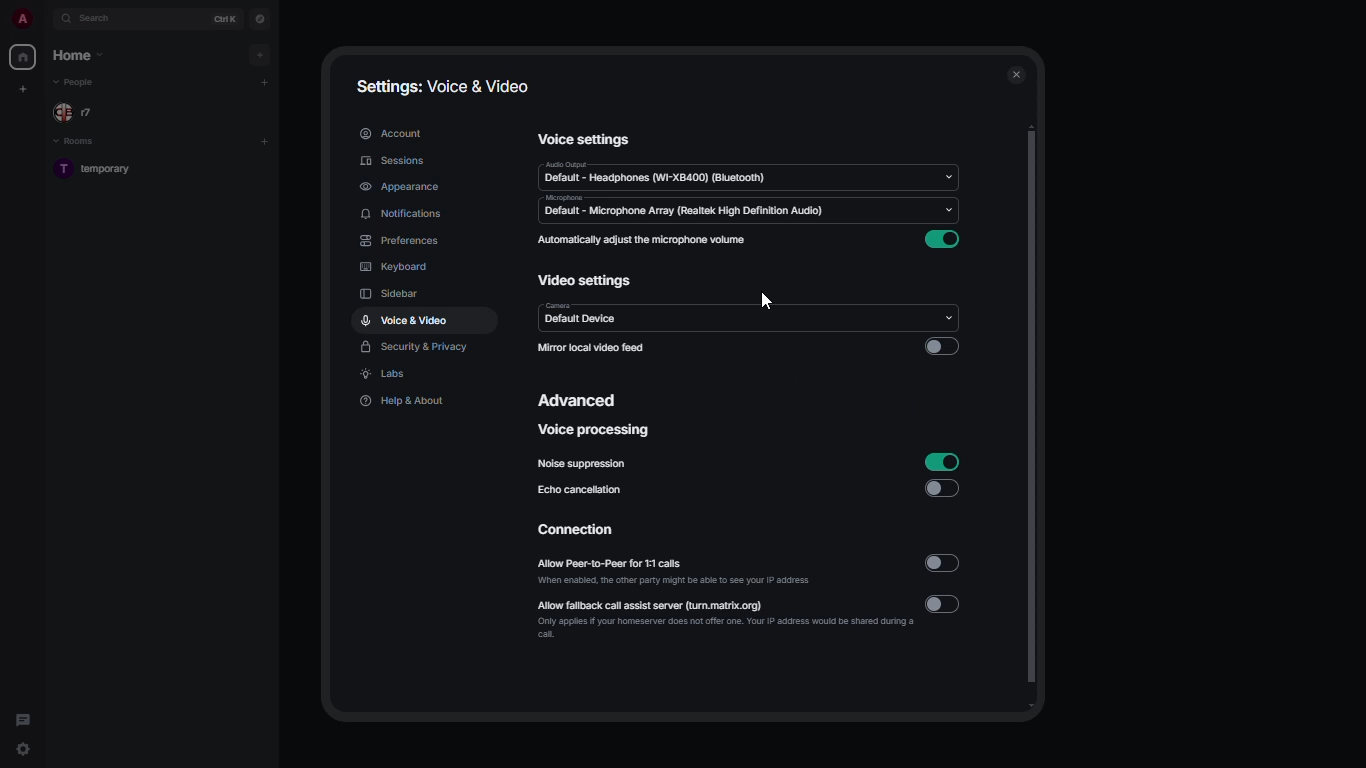 The height and width of the screenshot is (768, 1366). I want to click on room, so click(102, 171).